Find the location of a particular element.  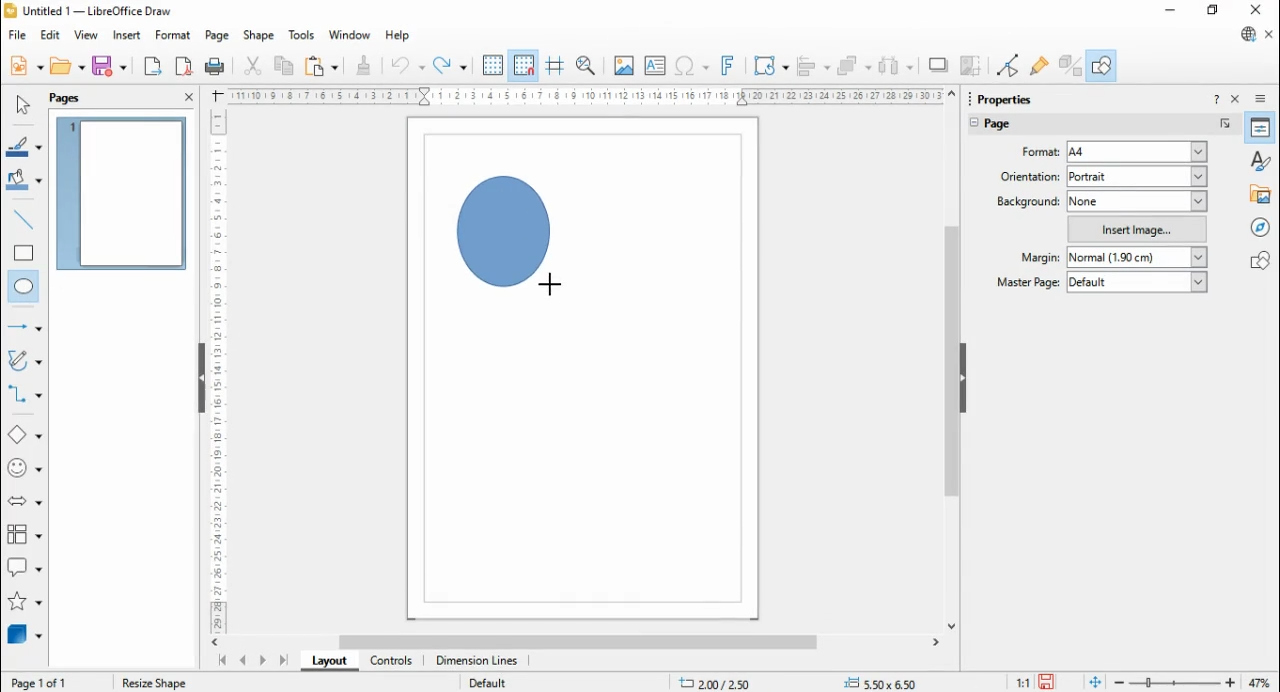

arrange is located at coordinates (855, 66).